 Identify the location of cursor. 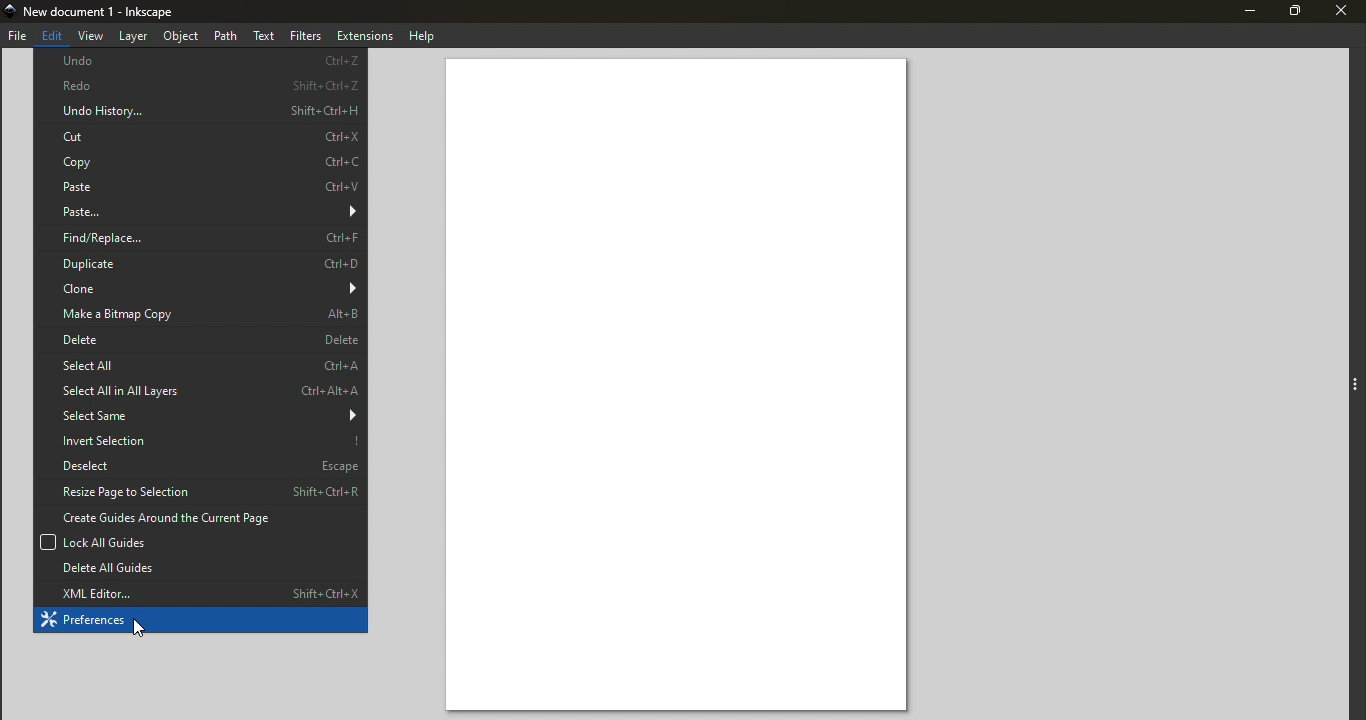
(144, 630).